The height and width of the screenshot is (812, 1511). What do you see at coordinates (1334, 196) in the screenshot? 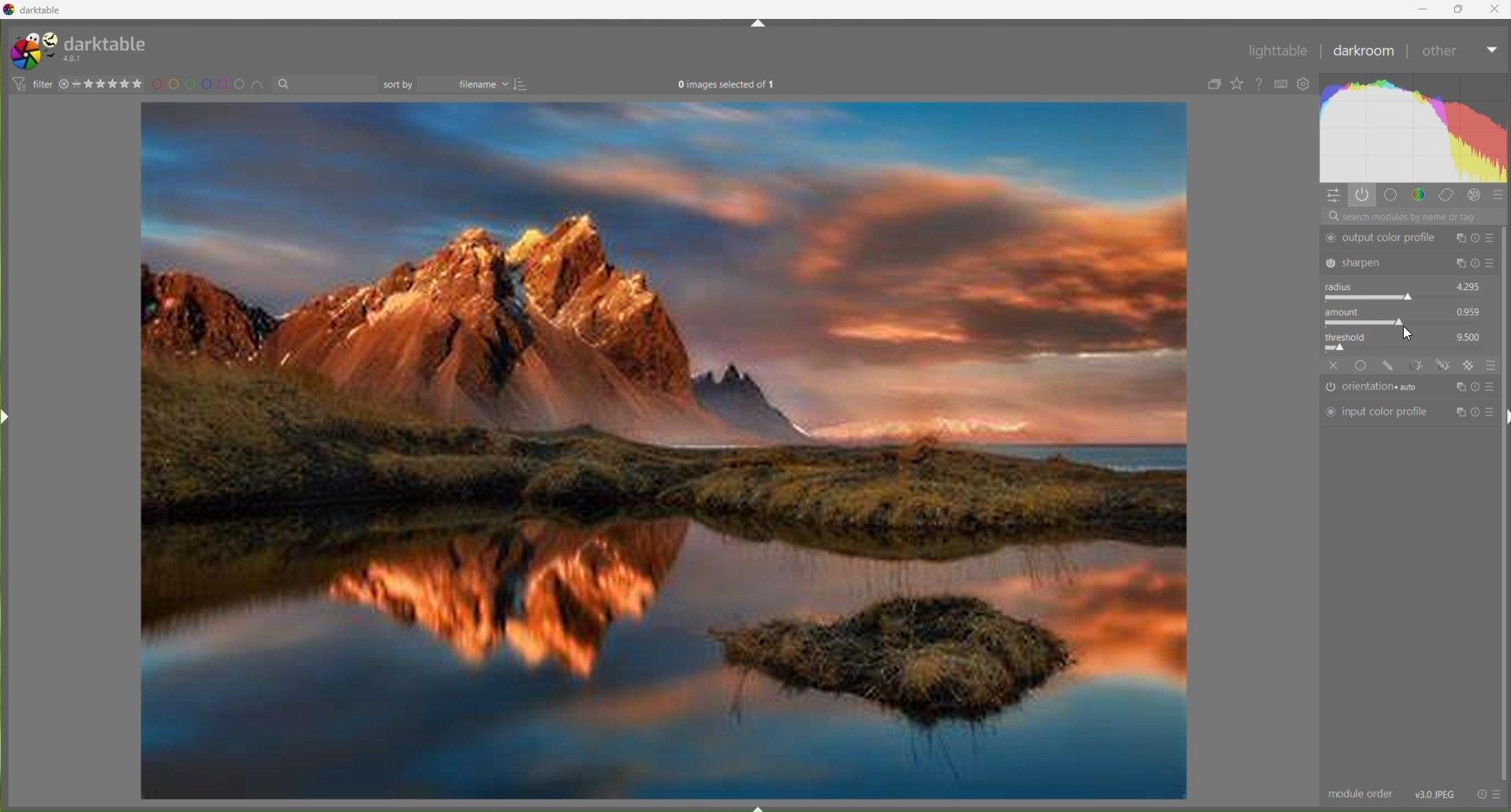
I see `Quick access panel` at bounding box center [1334, 196].